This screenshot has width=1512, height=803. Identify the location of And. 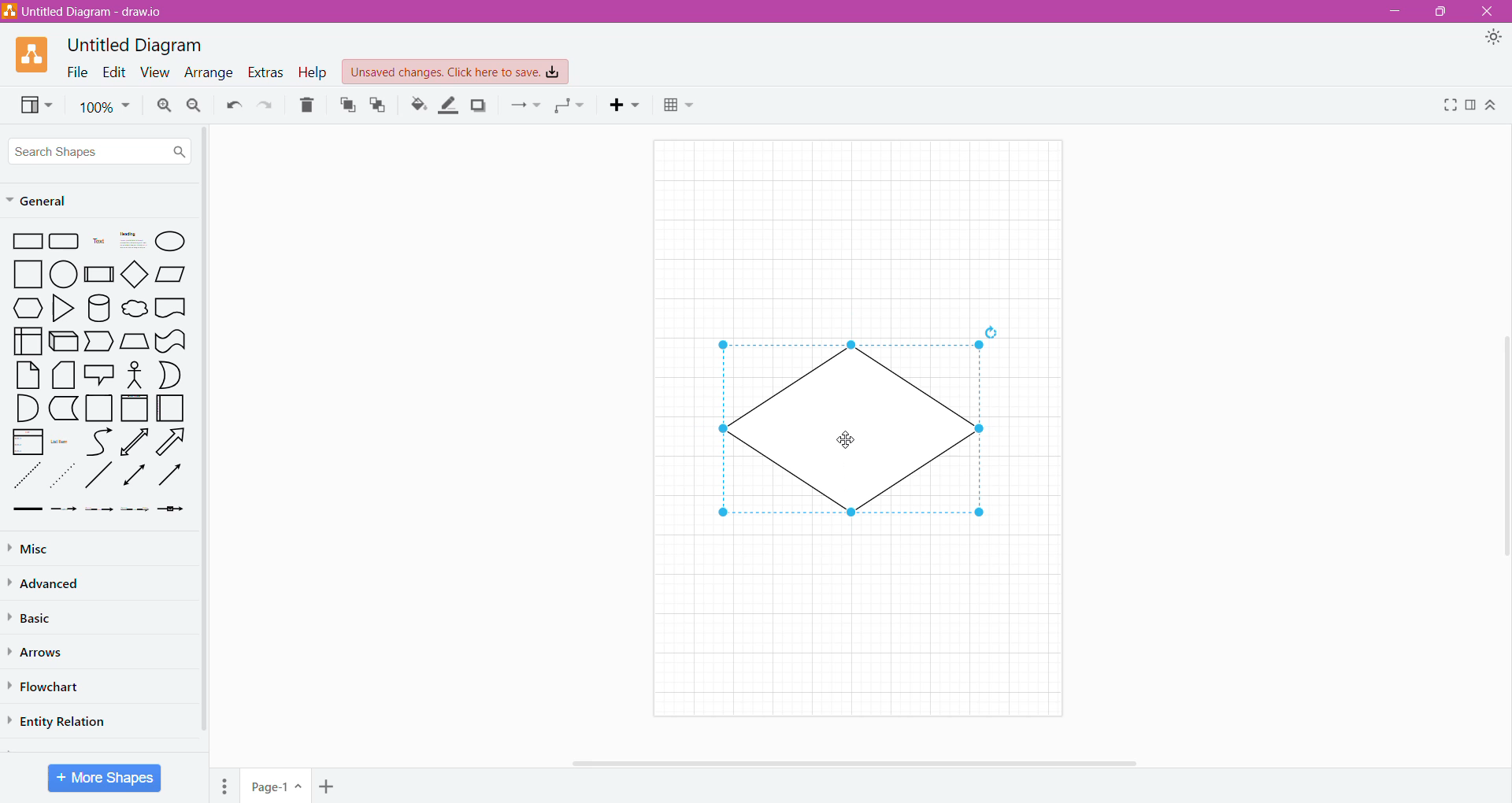
(27, 409).